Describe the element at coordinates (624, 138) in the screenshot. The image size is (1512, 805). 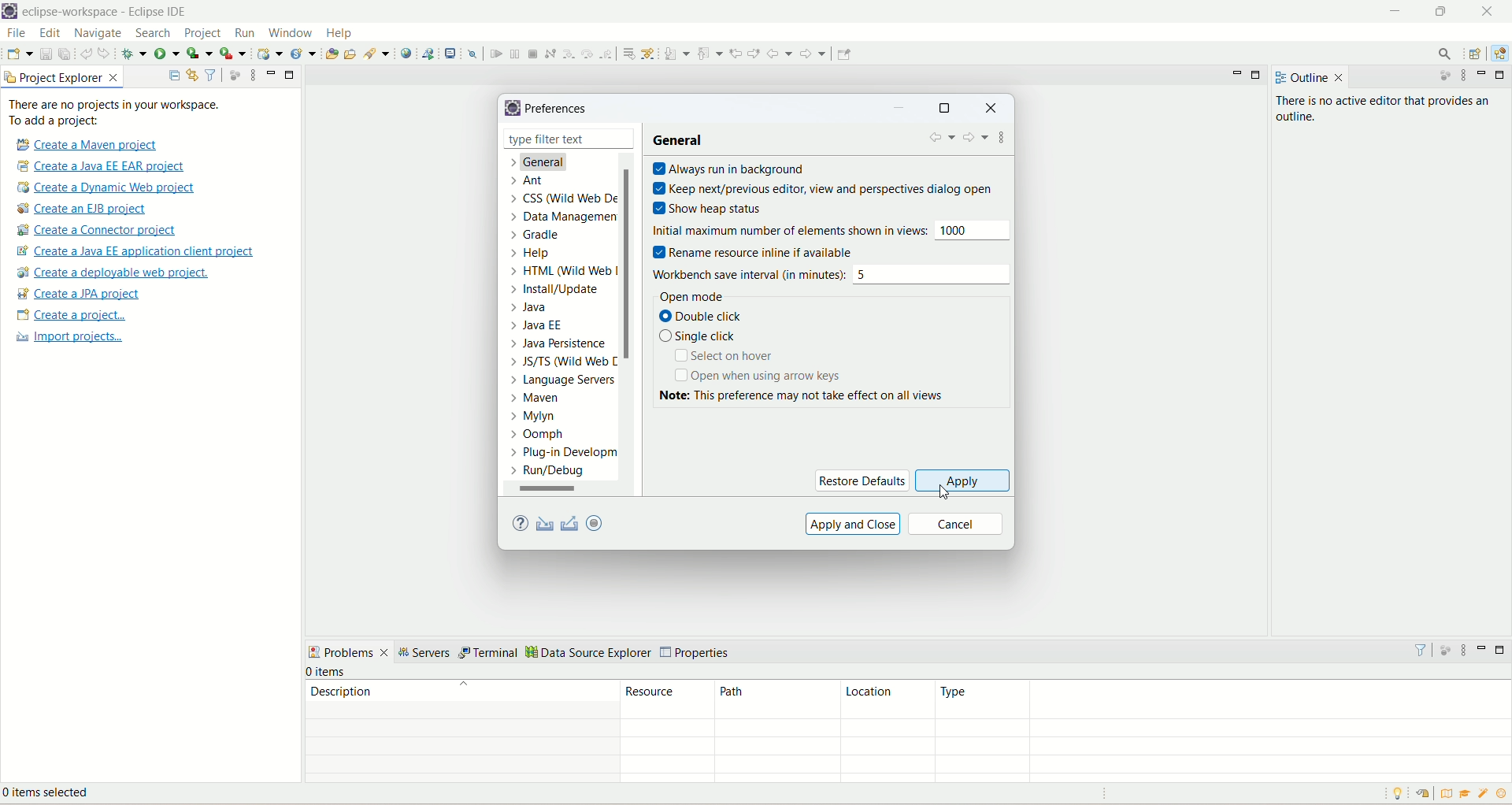
I see `close` at that location.